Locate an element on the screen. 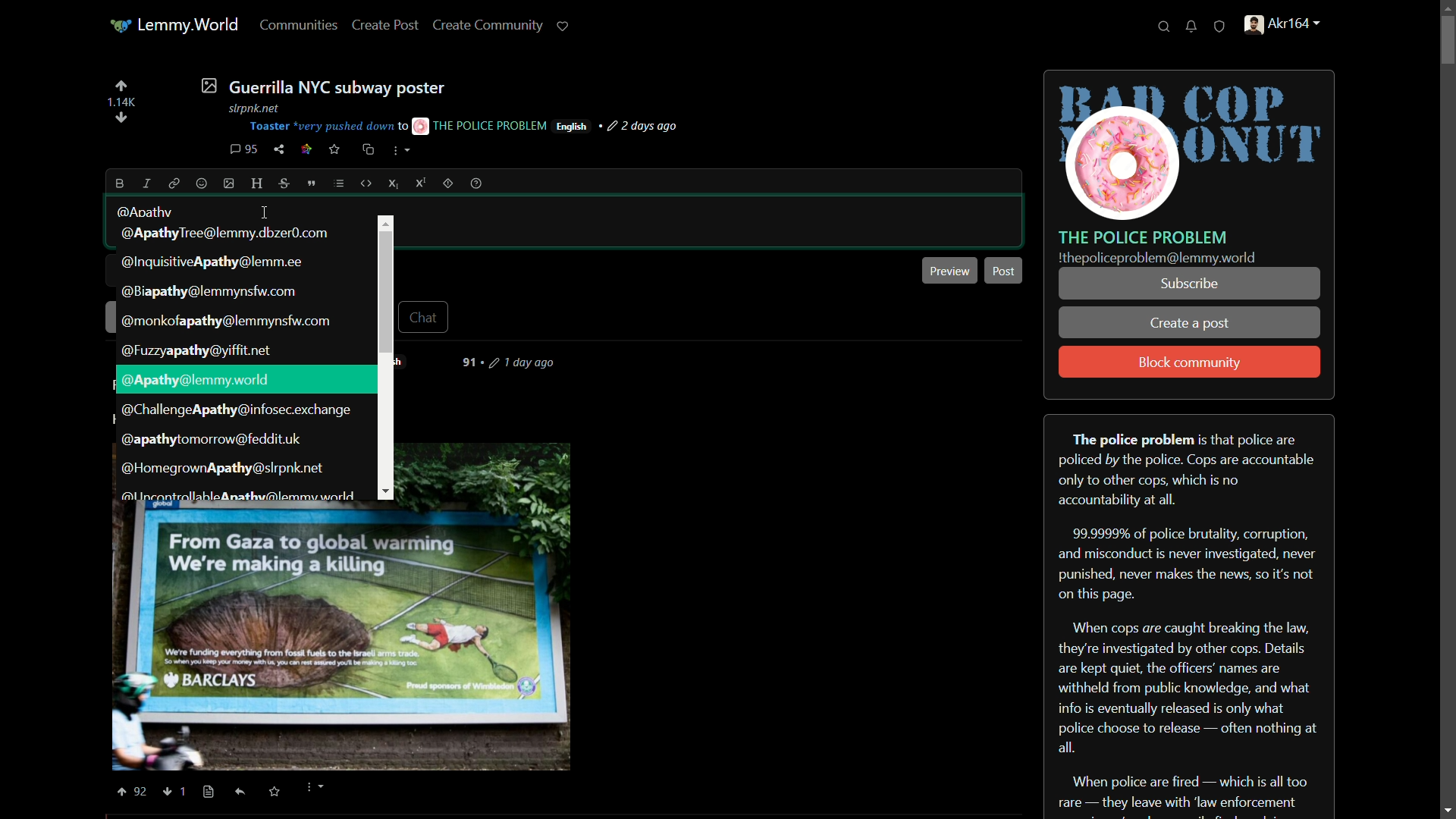 This screenshot has width=1456, height=819. unread reports is located at coordinates (1220, 27).